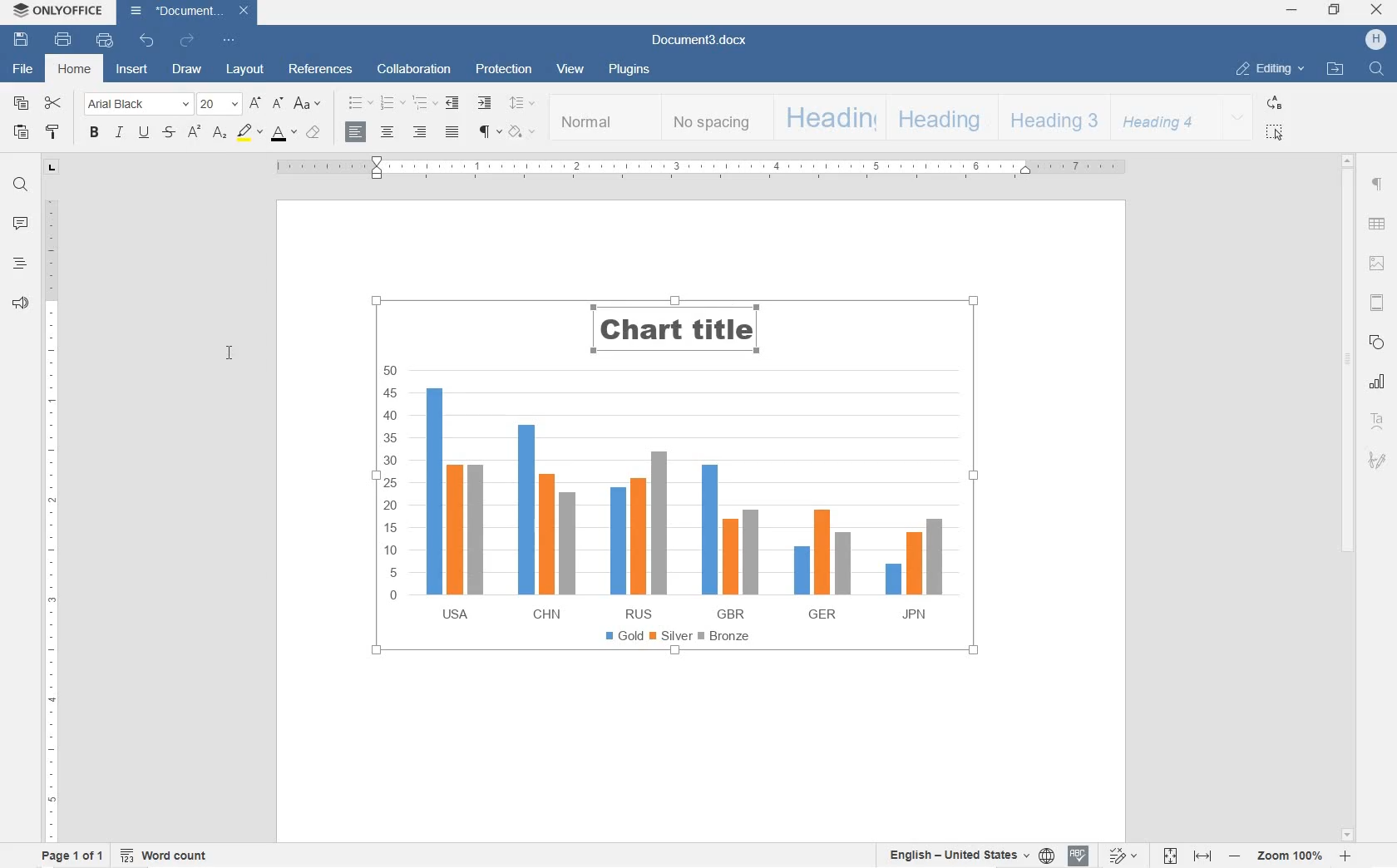 The height and width of the screenshot is (868, 1397). Describe the element at coordinates (1377, 184) in the screenshot. I see `PARAGRAPH SETTINGS` at that location.